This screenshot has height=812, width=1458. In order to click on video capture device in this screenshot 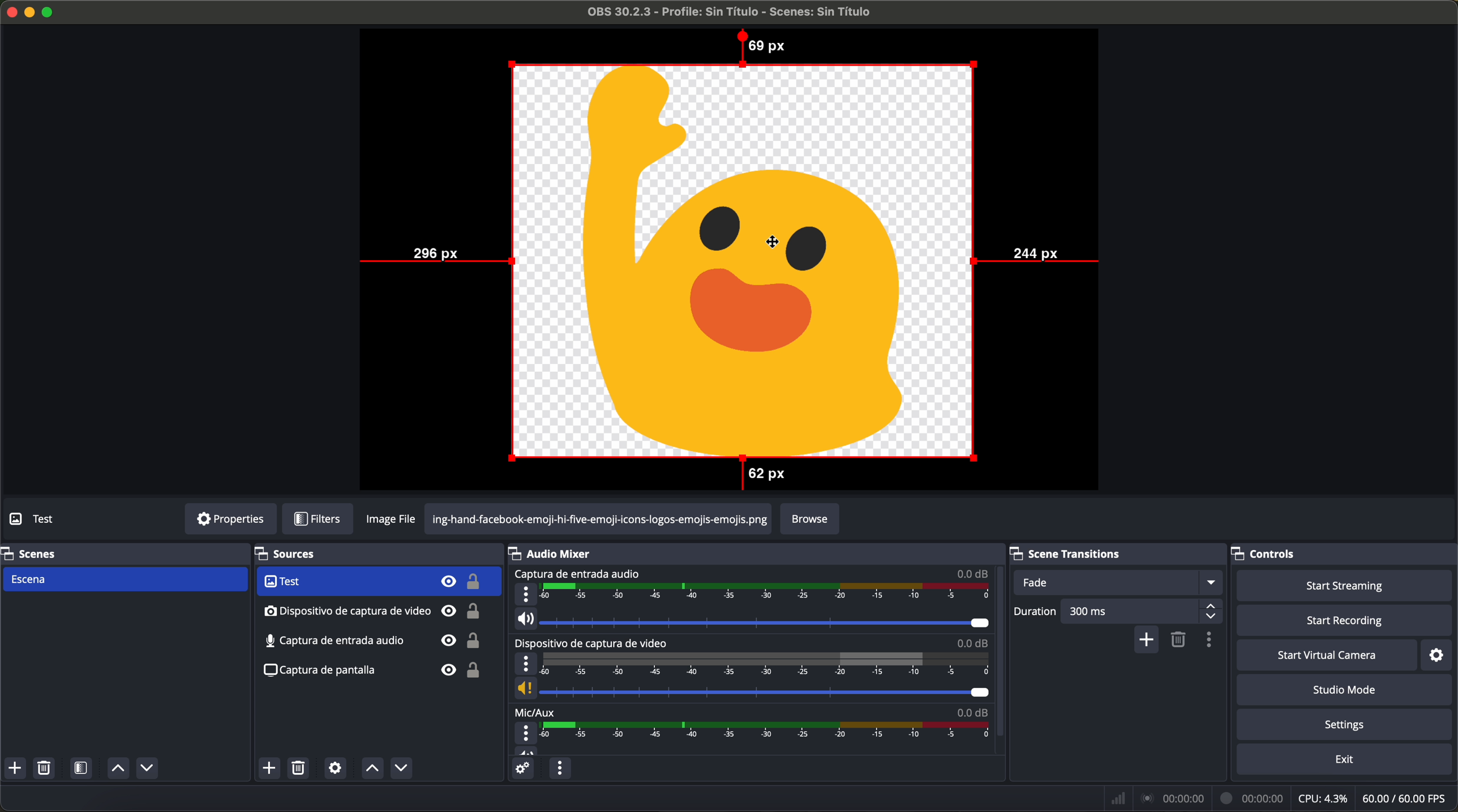, I will do `click(595, 643)`.